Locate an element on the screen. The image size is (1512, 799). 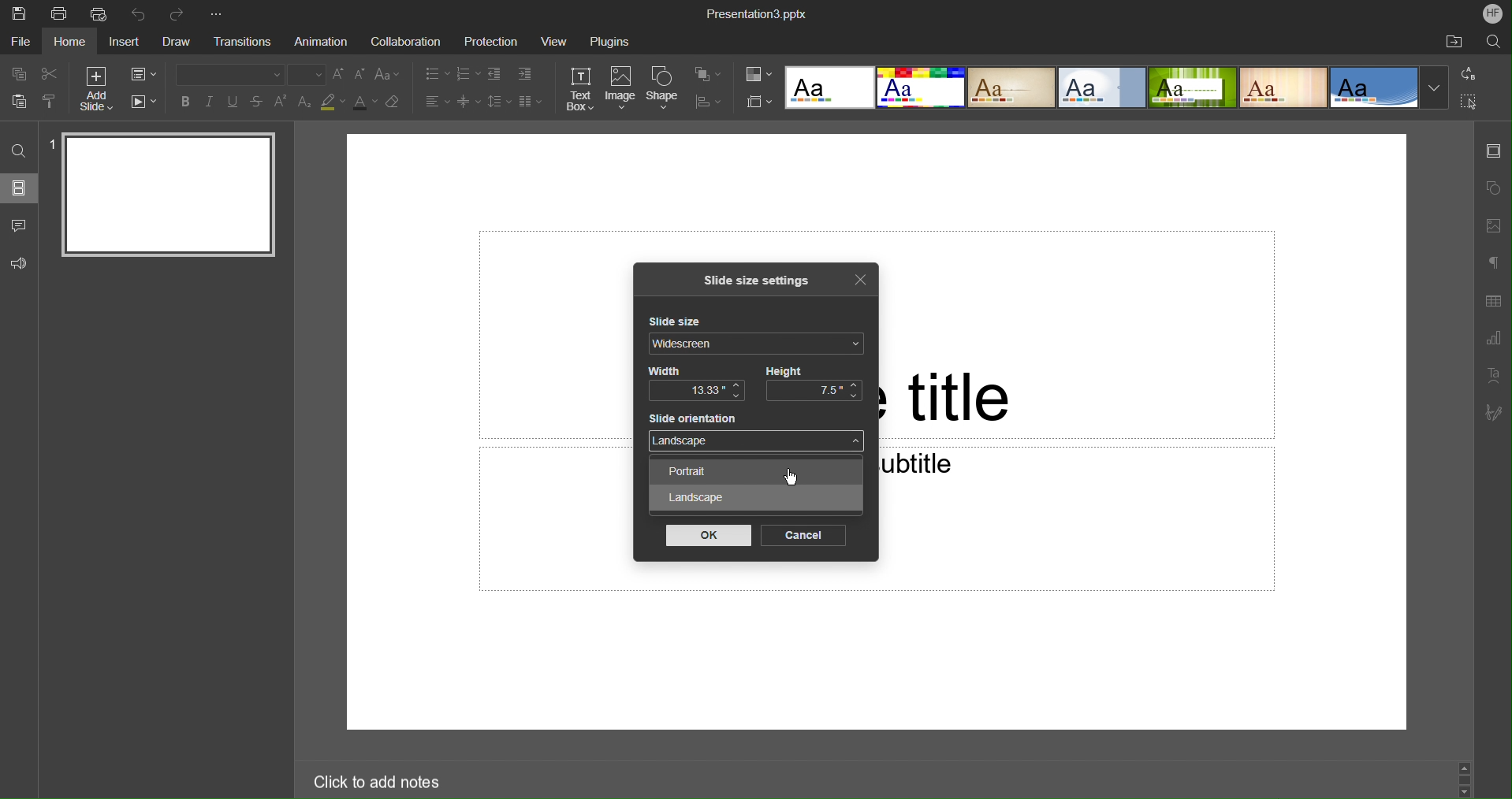
Numbered List is located at coordinates (467, 73).